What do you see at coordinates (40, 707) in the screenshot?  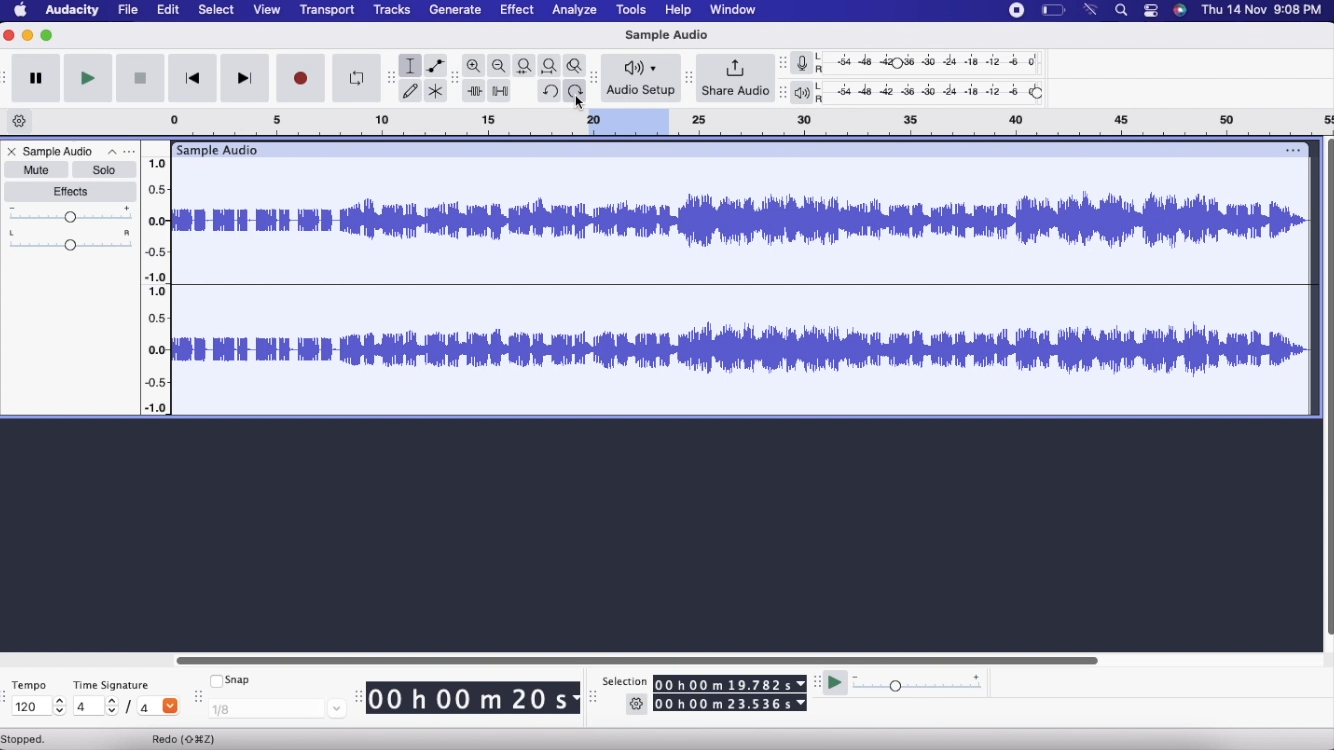 I see `120` at bounding box center [40, 707].